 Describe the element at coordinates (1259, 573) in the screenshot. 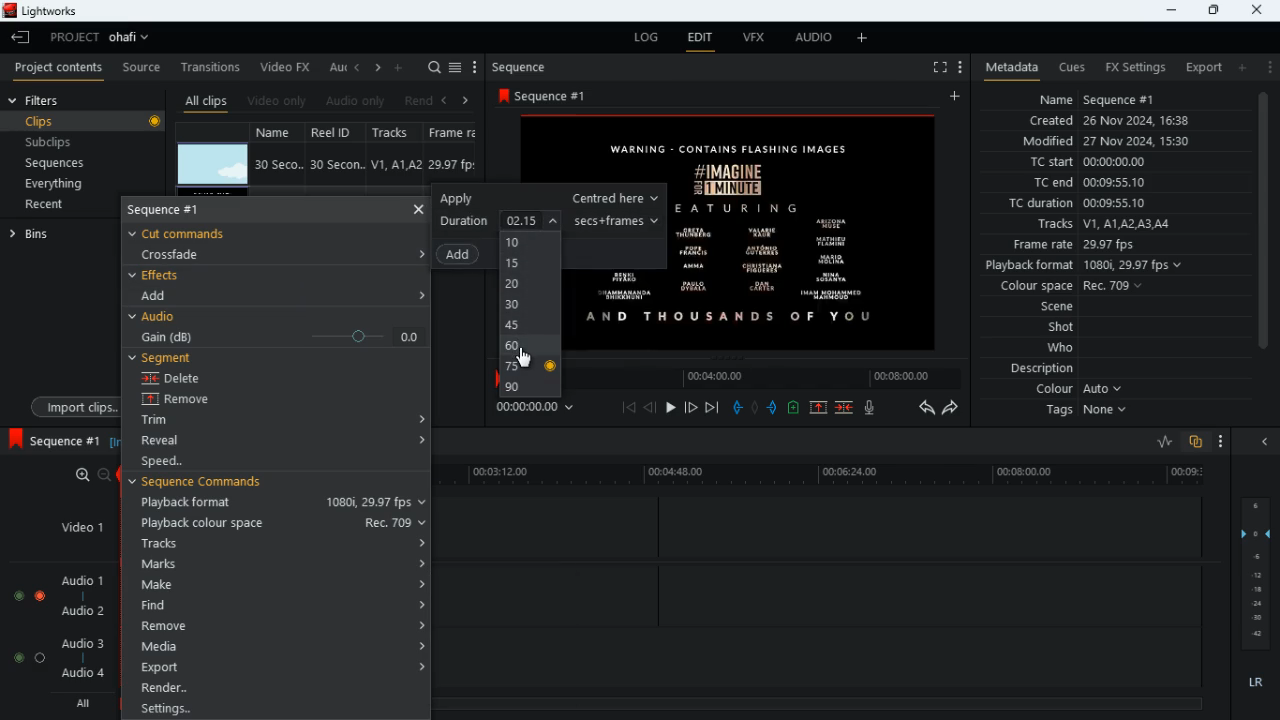

I see `layers` at that location.